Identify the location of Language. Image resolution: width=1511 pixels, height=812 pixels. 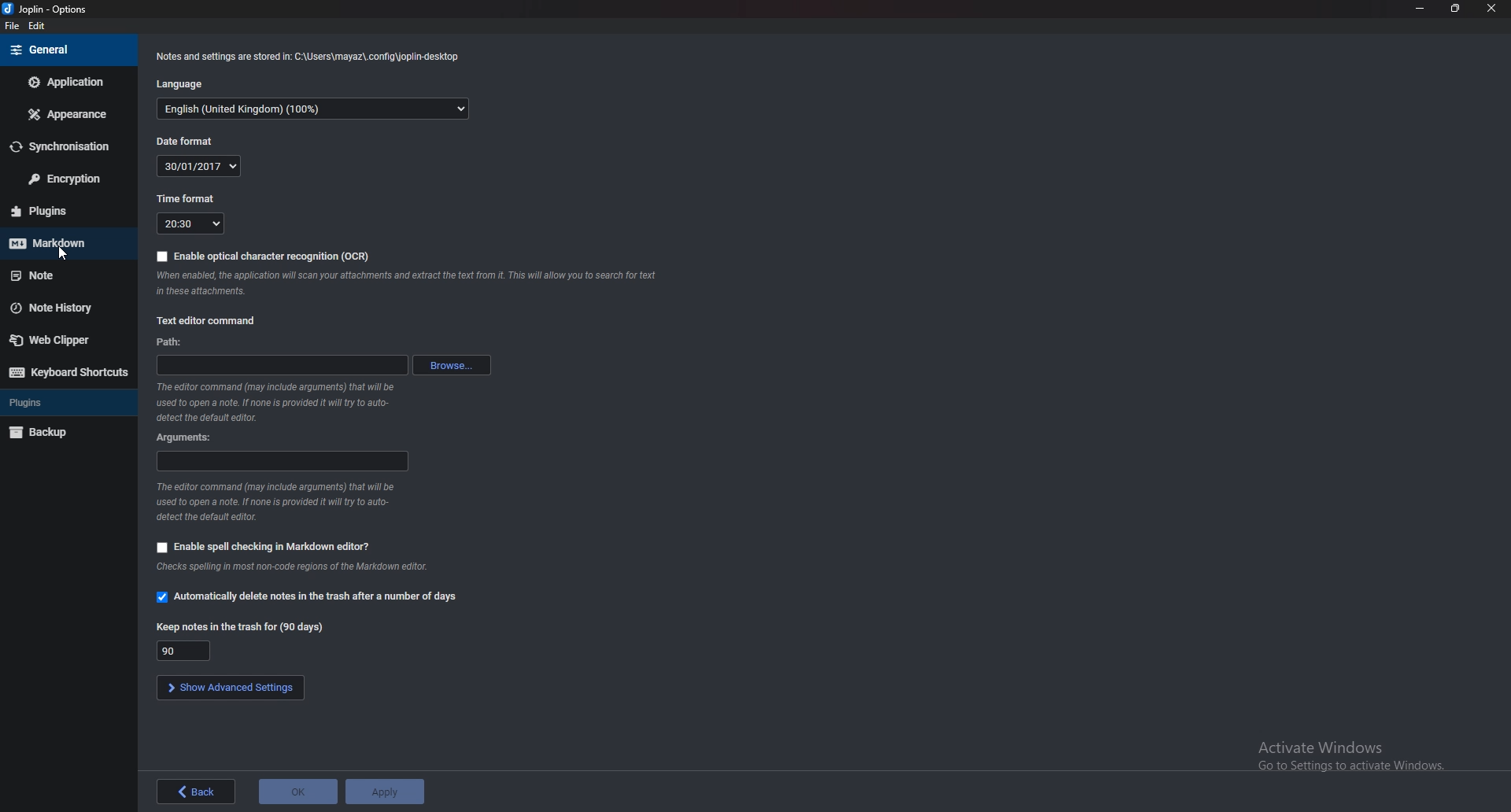
(312, 111).